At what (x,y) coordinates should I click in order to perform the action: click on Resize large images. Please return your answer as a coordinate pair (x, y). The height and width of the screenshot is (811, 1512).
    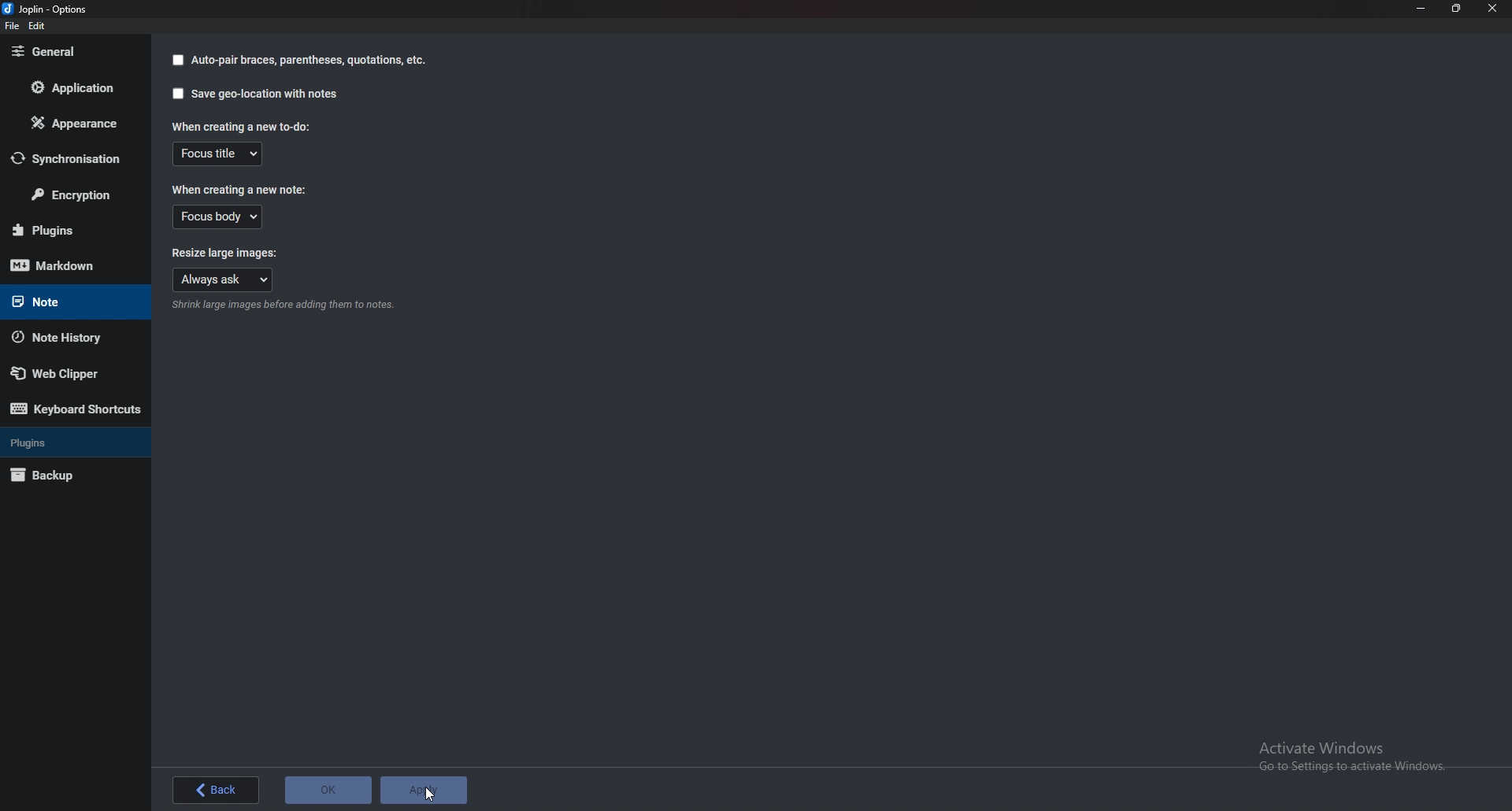
    Looking at the image, I should click on (233, 255).